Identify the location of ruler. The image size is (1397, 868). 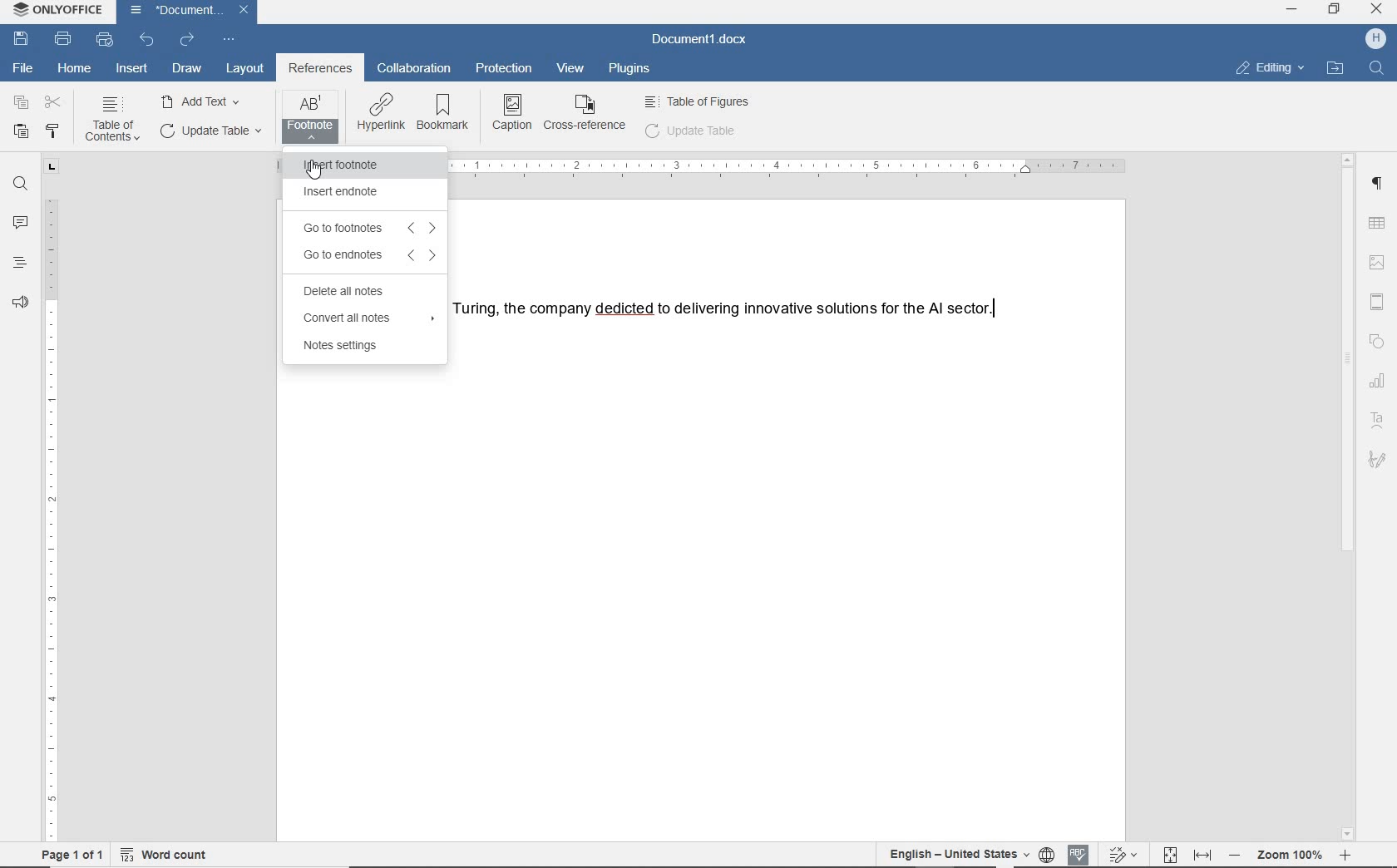
(52, 502).